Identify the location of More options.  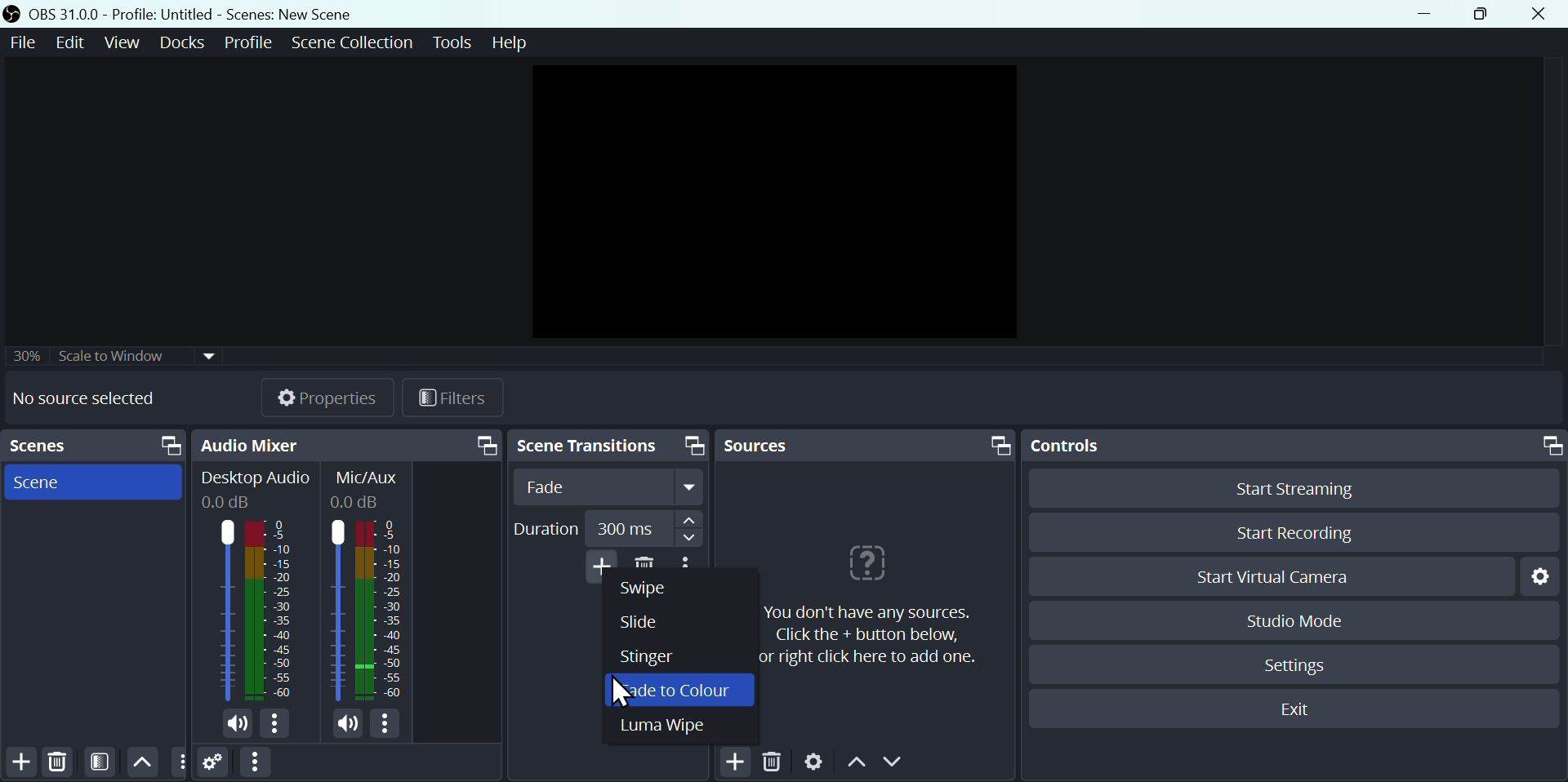
(254, 763).